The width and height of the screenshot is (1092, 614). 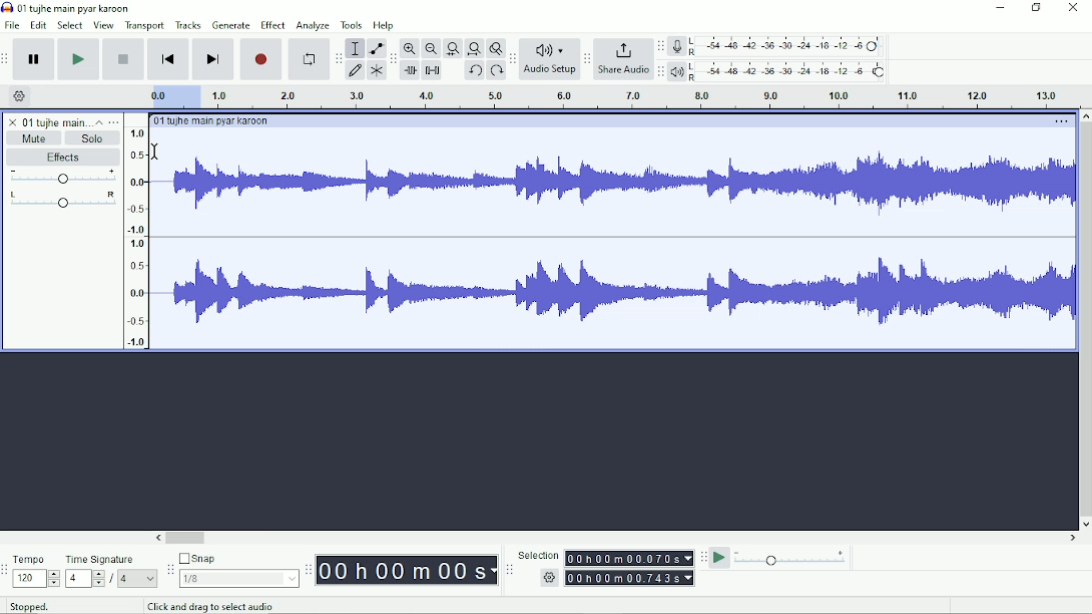 What do you see at coordinates (356, 71) in the screenshot?
I see `Draw tool` at bounding box center [356, 71].